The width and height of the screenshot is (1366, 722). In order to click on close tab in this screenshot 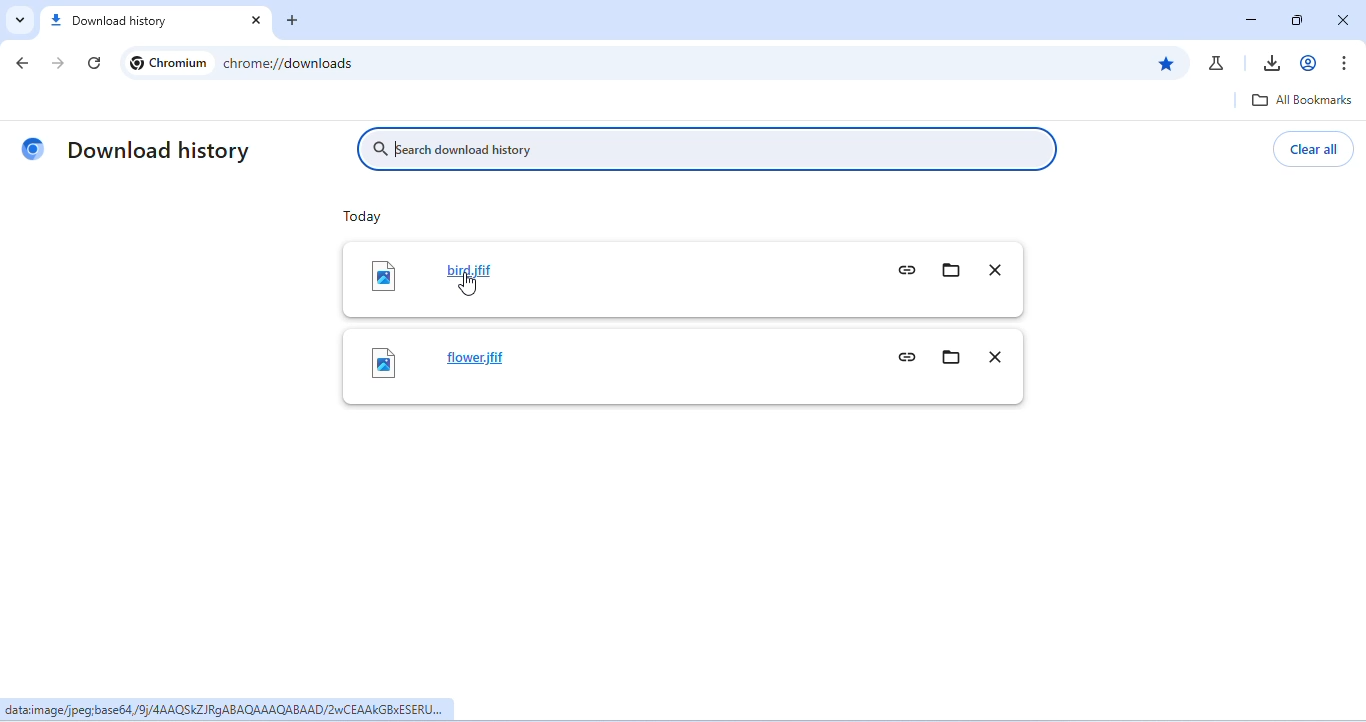, I will do `click(253, 21)`.